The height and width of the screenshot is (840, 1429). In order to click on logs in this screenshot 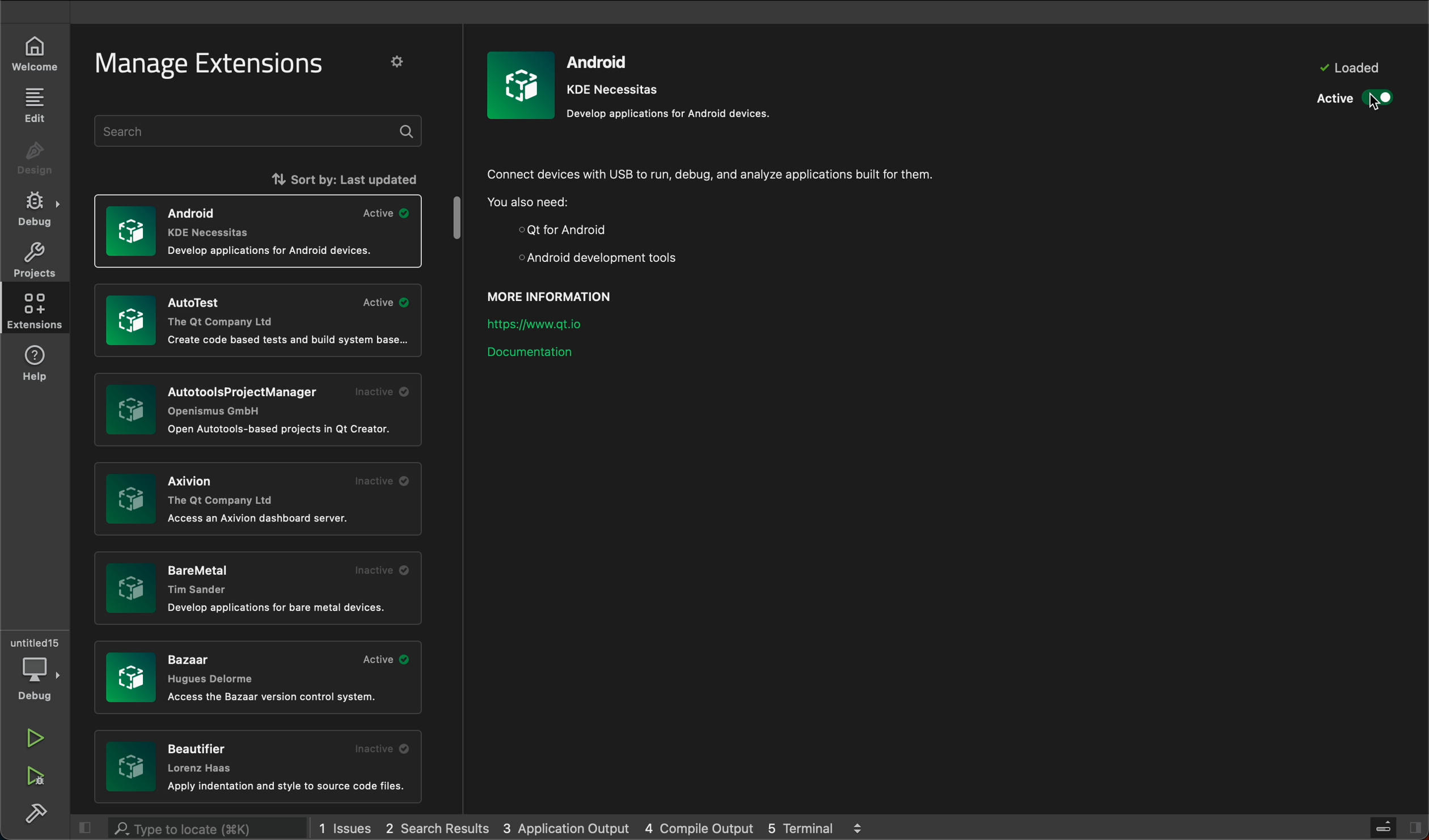, I will do `click(443, 827)`.